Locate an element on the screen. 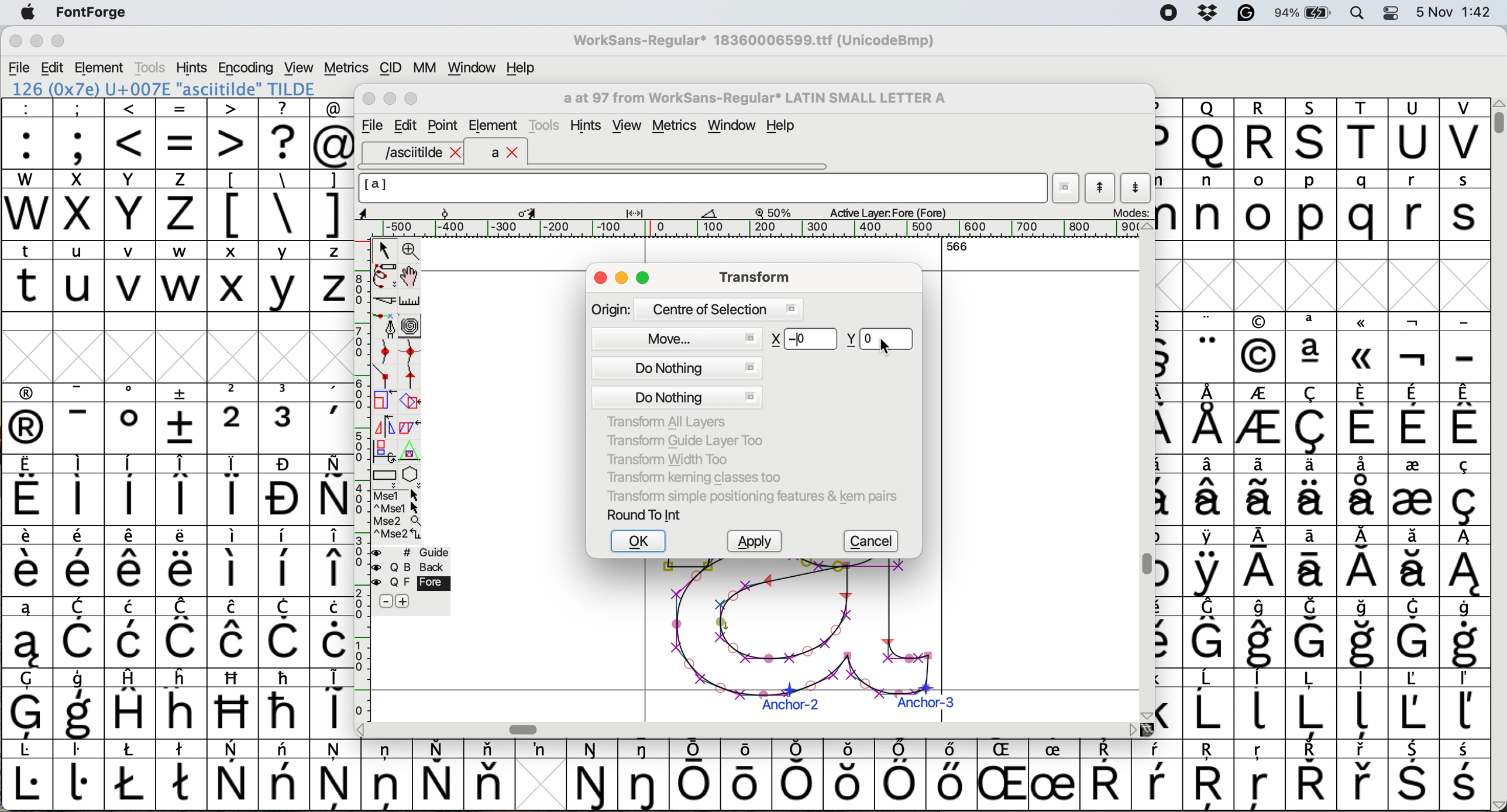 The width and height of the screenshot is (1507, 812). symbol is located at coordinates (1463, 490).